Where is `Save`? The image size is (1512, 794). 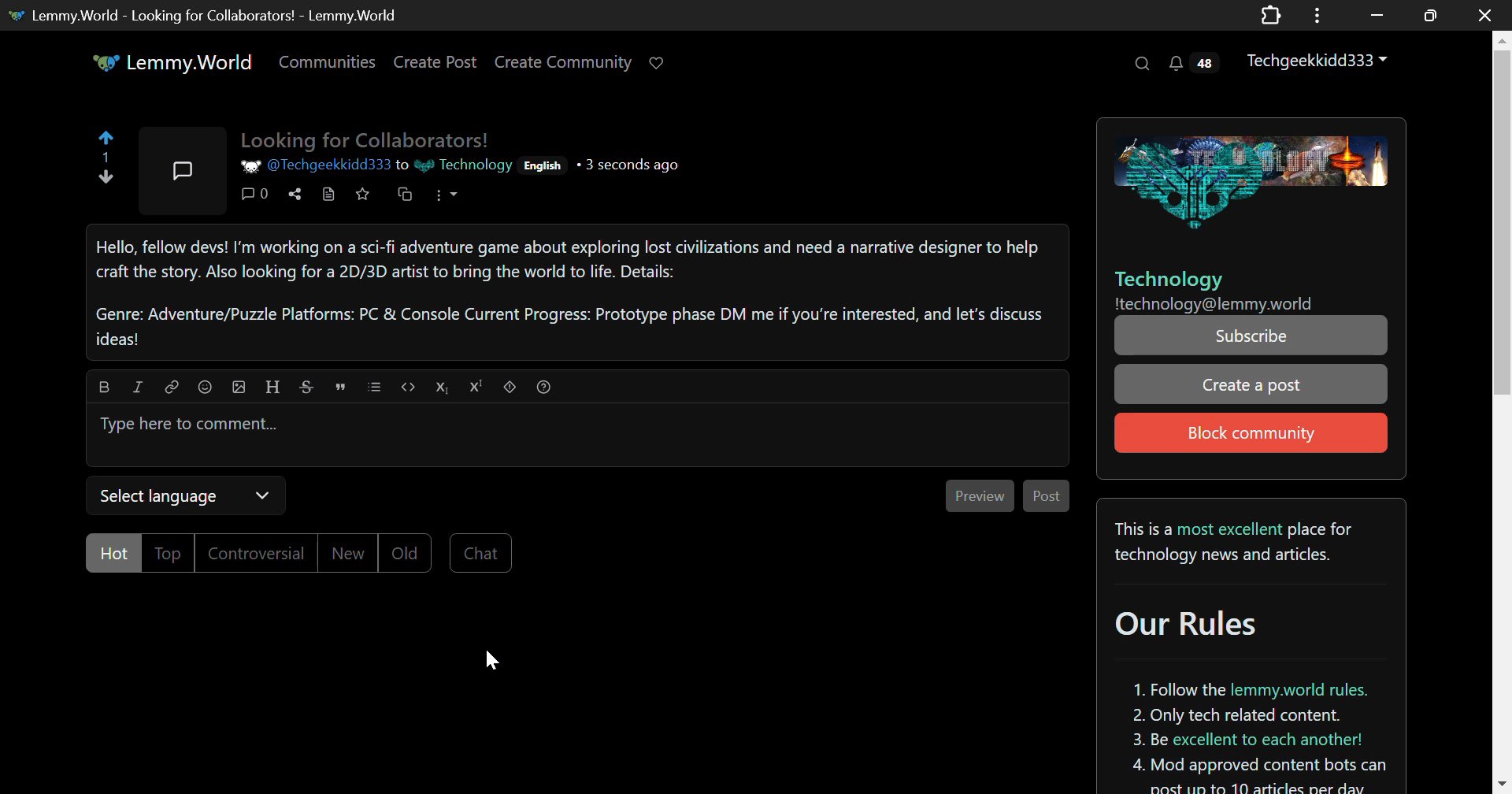 Save is located at coordinates (364, 198).